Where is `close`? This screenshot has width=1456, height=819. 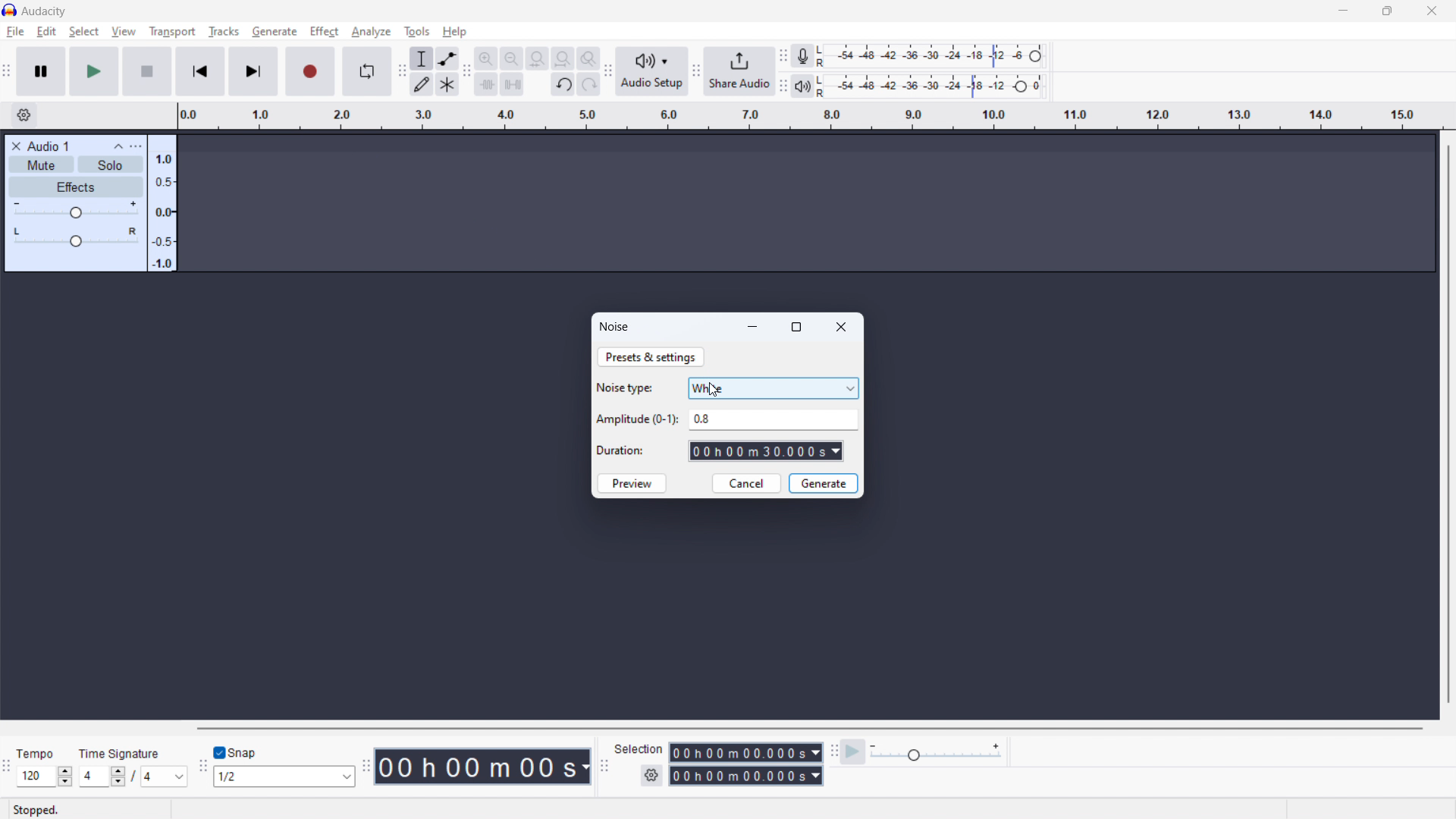
close is located at coordinates (843, 327).